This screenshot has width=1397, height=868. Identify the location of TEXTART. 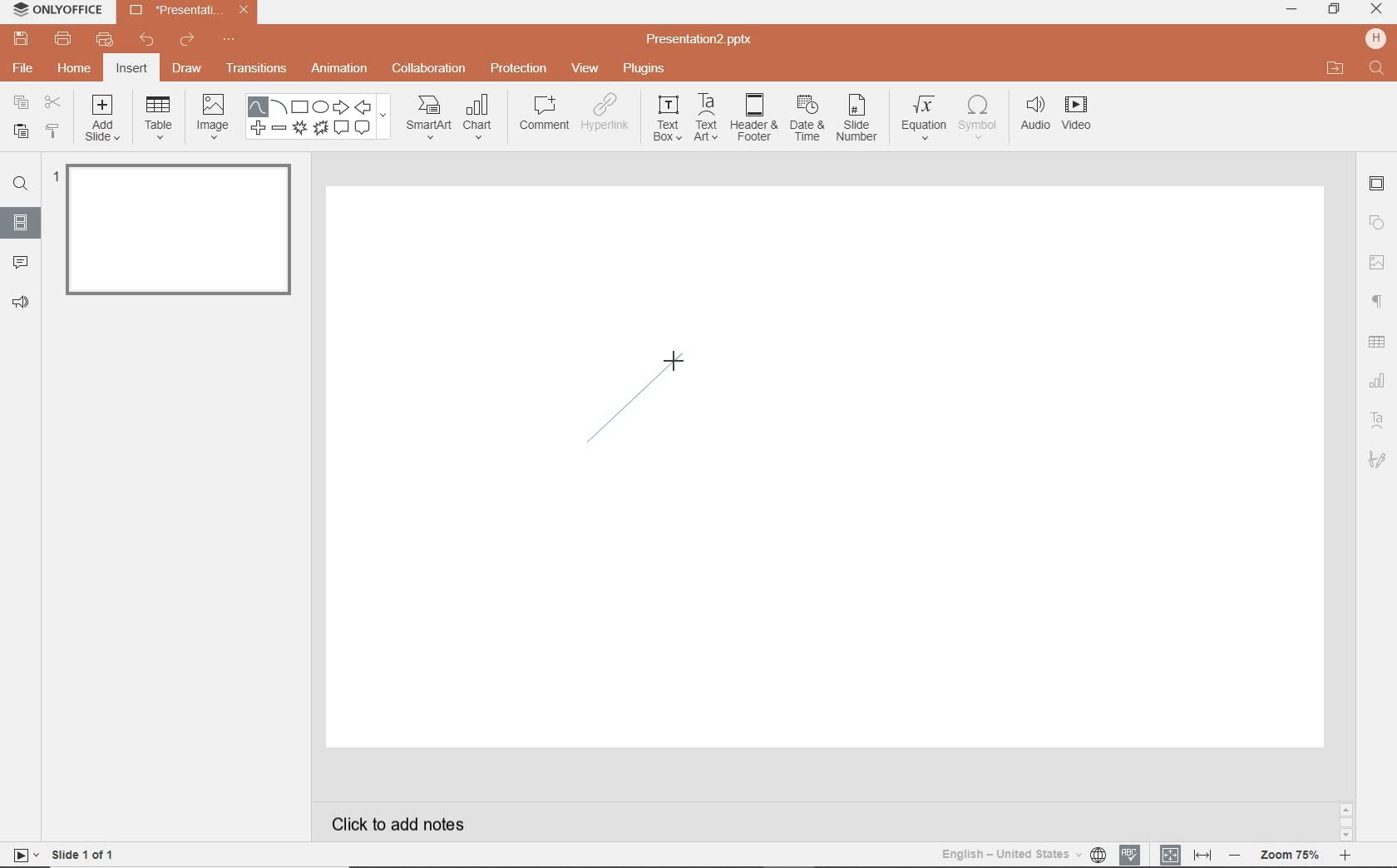
(706, 119).